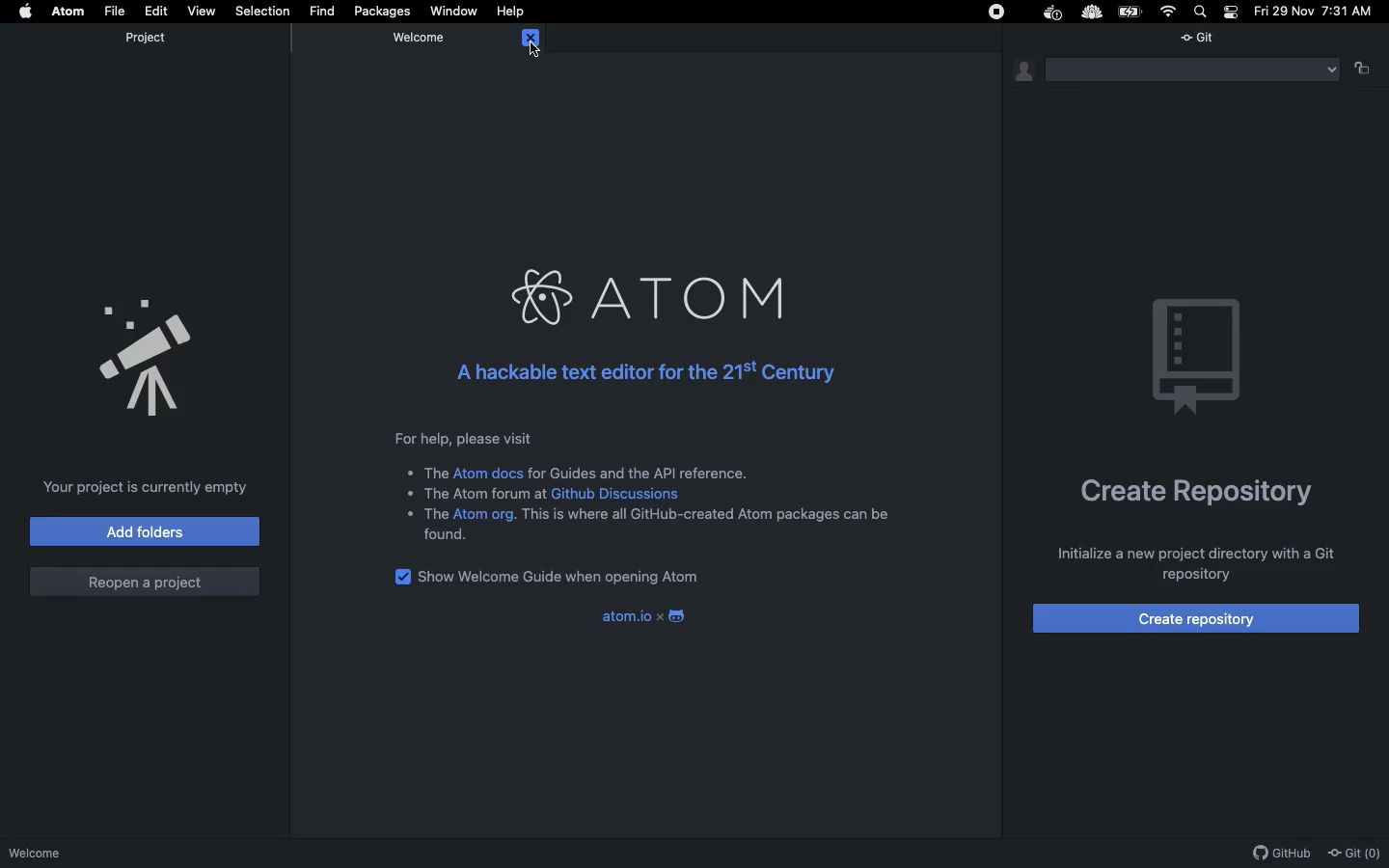  I want to click on GitHub, so click(1284, 854).